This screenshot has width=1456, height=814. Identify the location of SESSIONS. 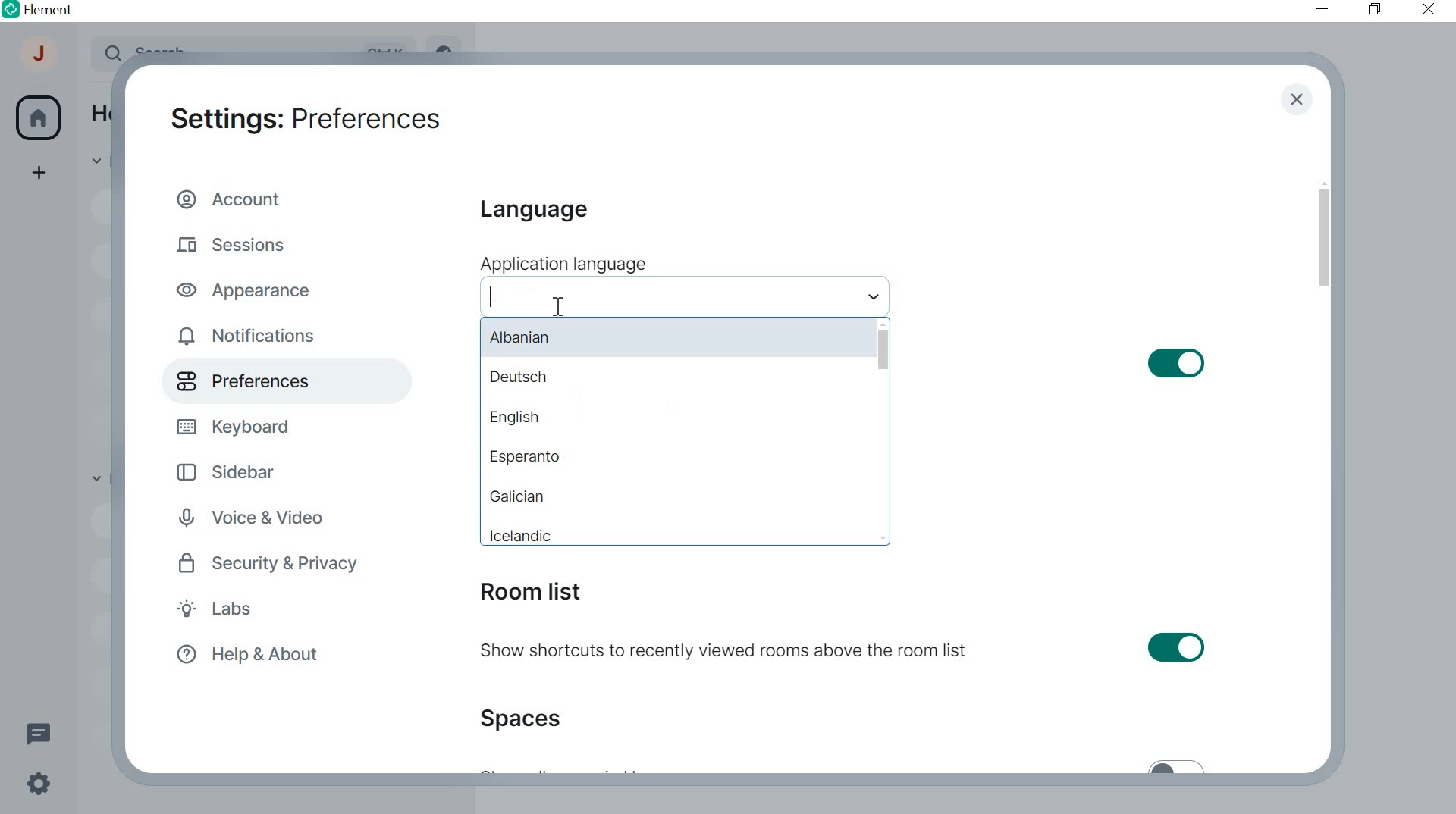
(237, 242).